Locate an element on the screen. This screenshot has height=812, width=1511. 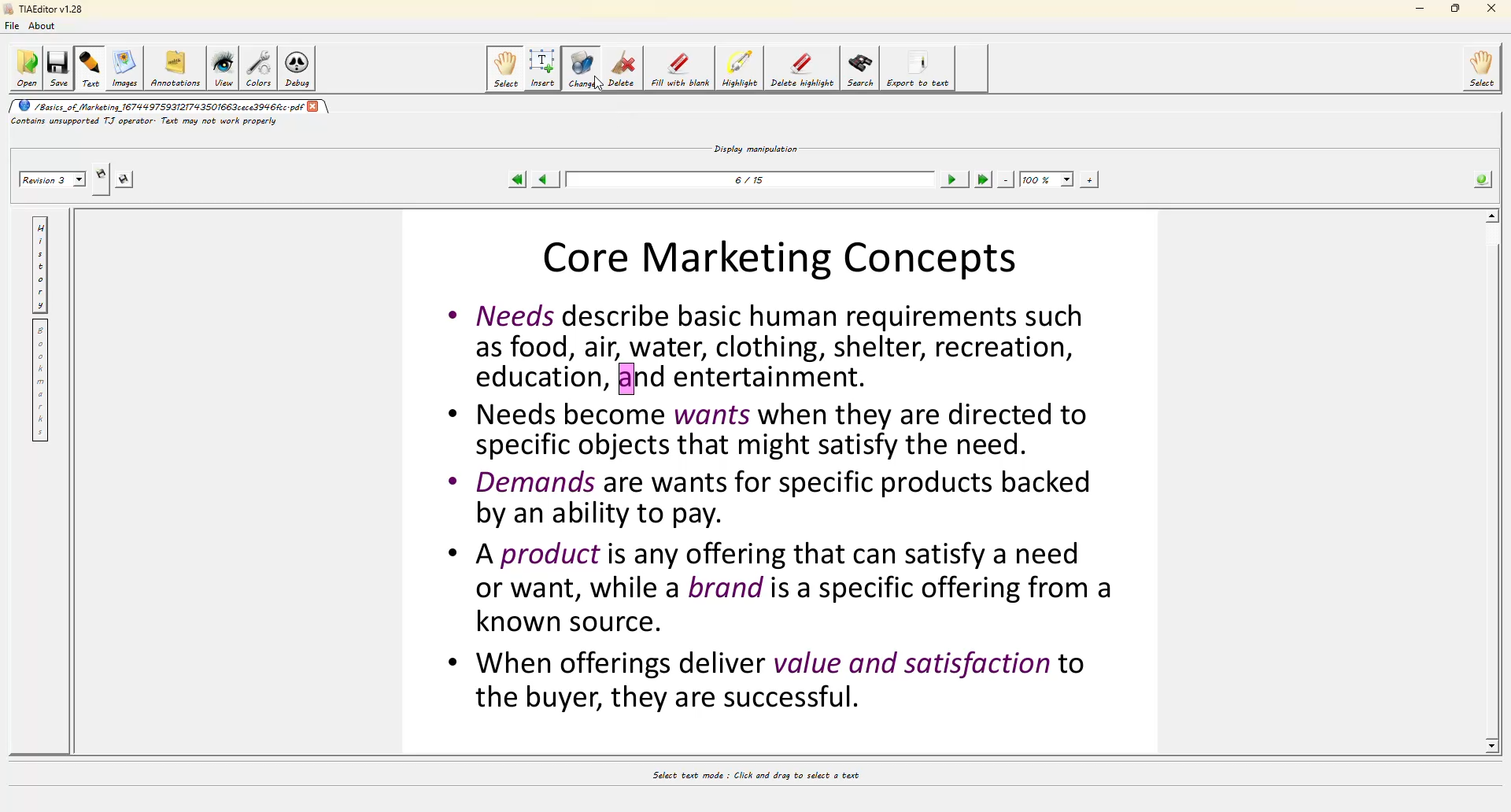
contains unsupported TJ operator. Text may not work properly. is located at coordinates (175, 121).